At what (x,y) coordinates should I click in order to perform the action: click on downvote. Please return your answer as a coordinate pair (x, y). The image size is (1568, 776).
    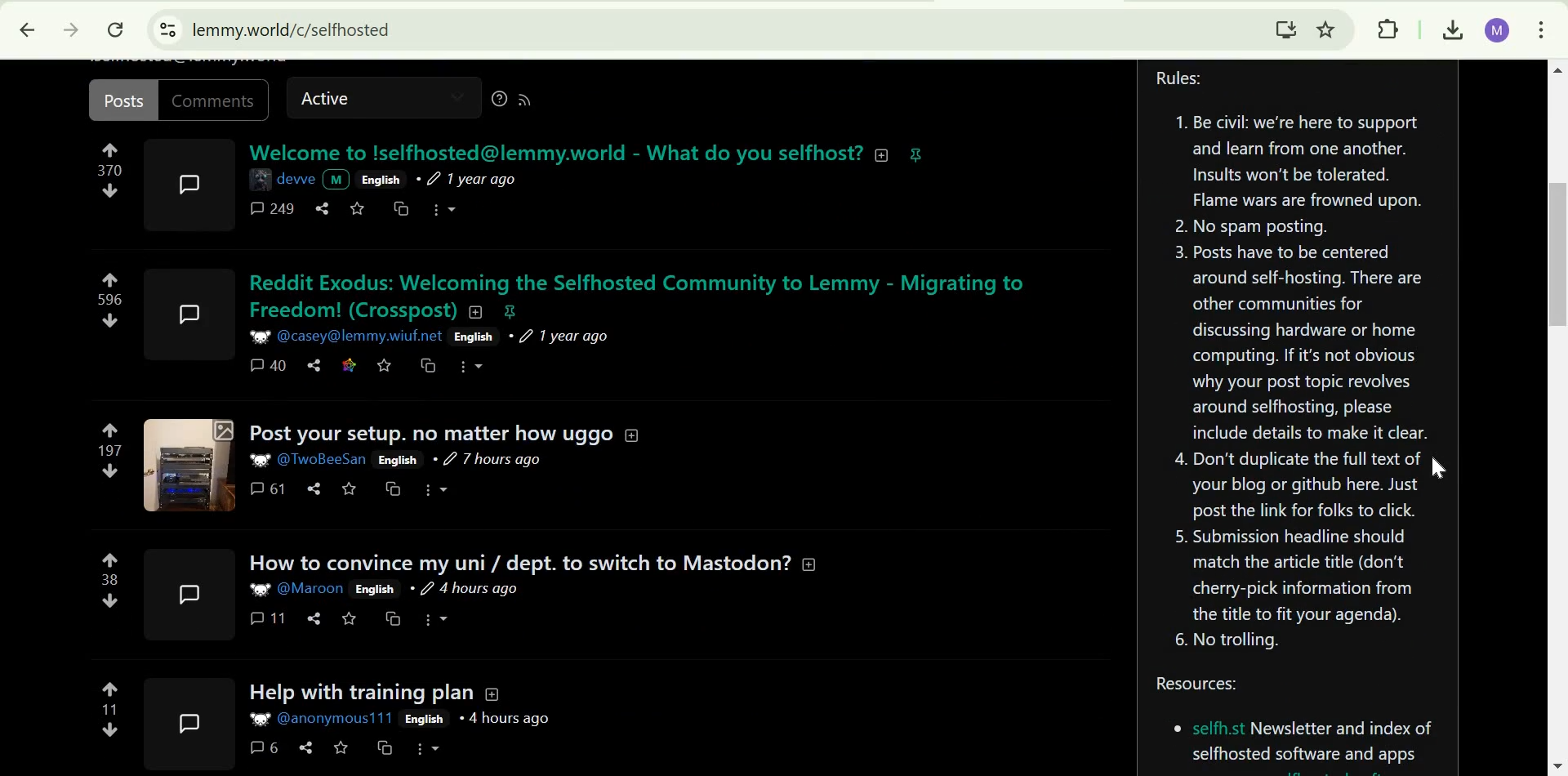
    Looking at the image, I should click on (109, 322).